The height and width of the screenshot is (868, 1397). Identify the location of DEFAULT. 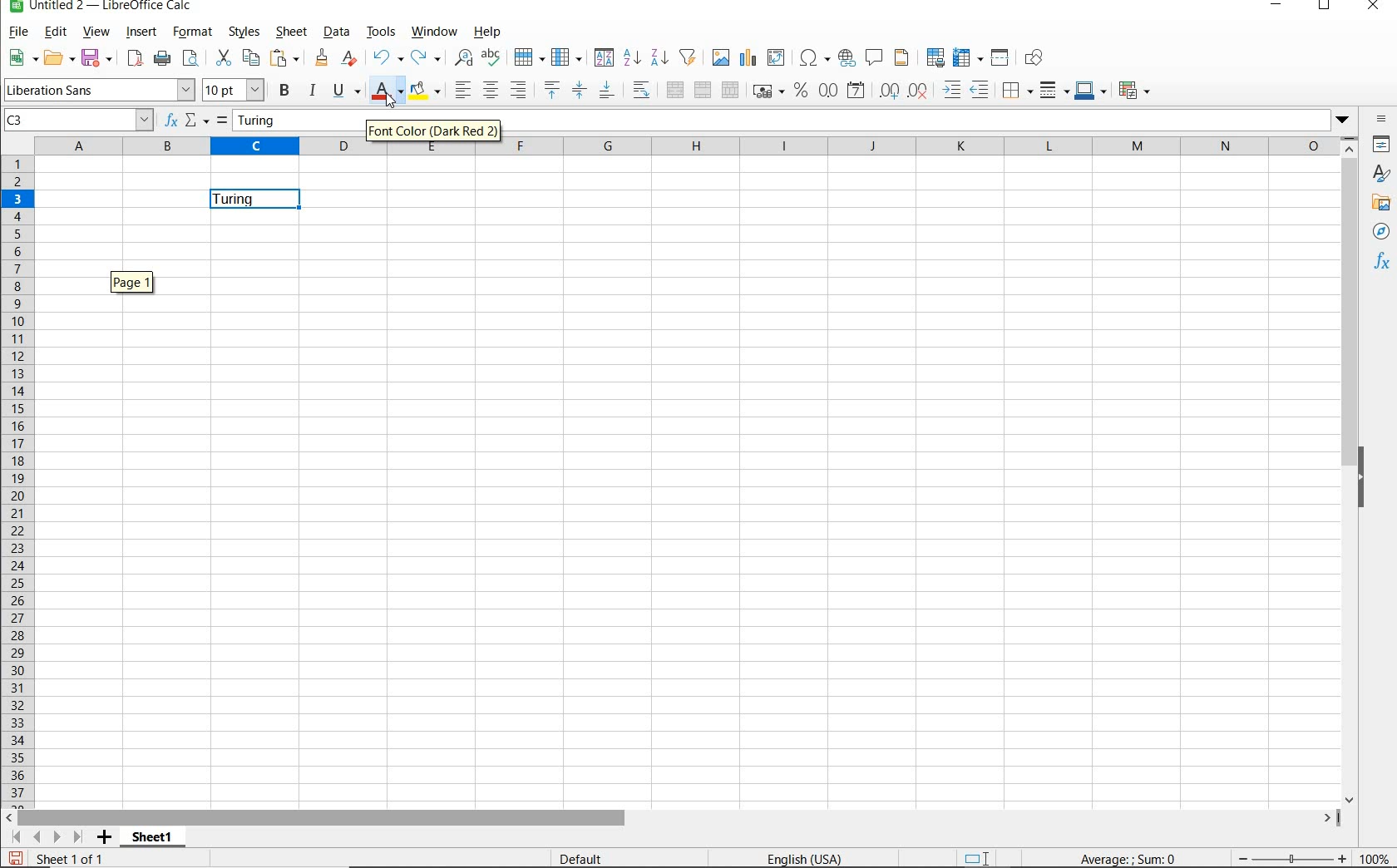
(581, 856).